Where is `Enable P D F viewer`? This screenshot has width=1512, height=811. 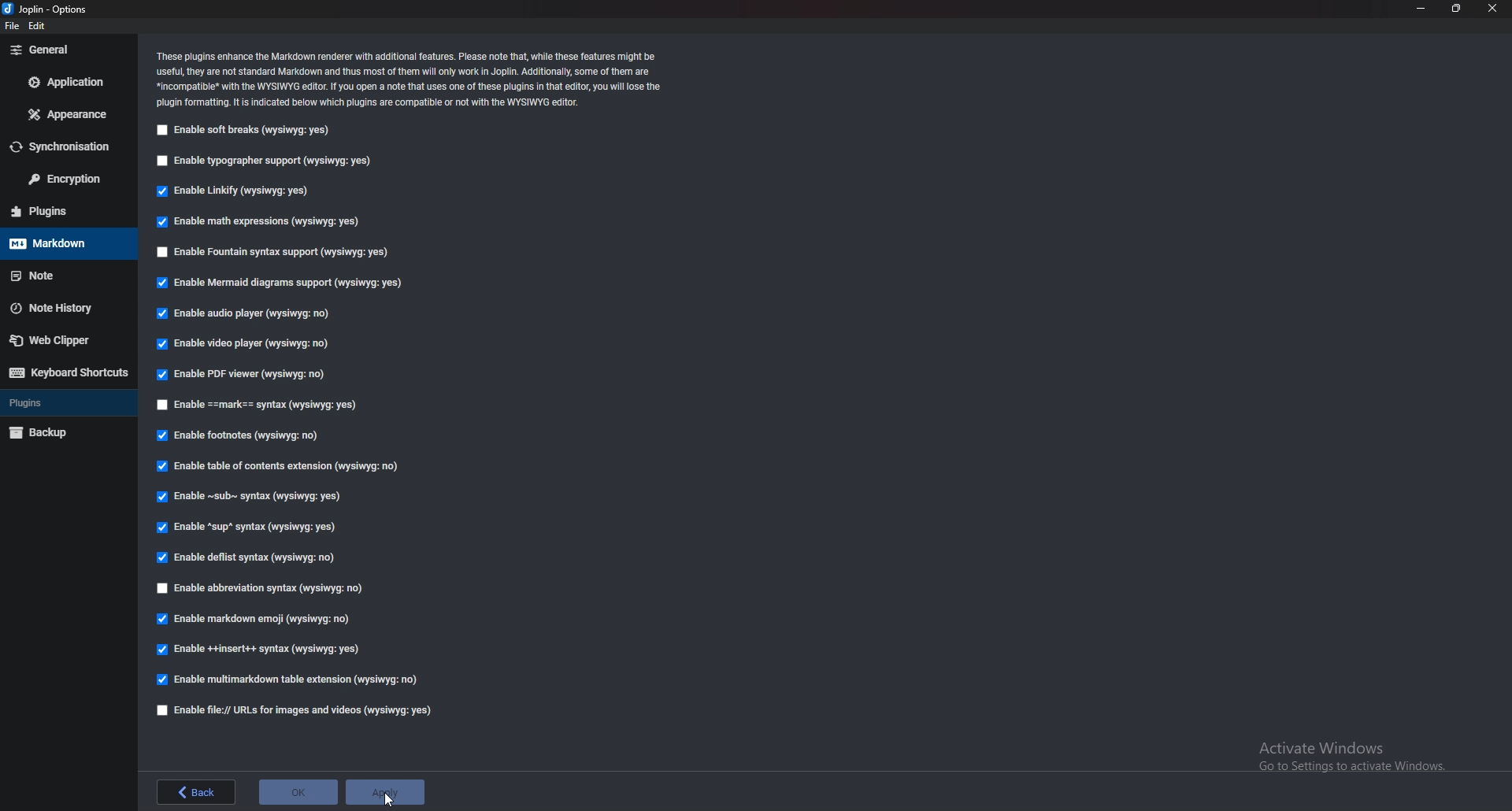
Enable P D F viewer is located at coordinates (238, 376).